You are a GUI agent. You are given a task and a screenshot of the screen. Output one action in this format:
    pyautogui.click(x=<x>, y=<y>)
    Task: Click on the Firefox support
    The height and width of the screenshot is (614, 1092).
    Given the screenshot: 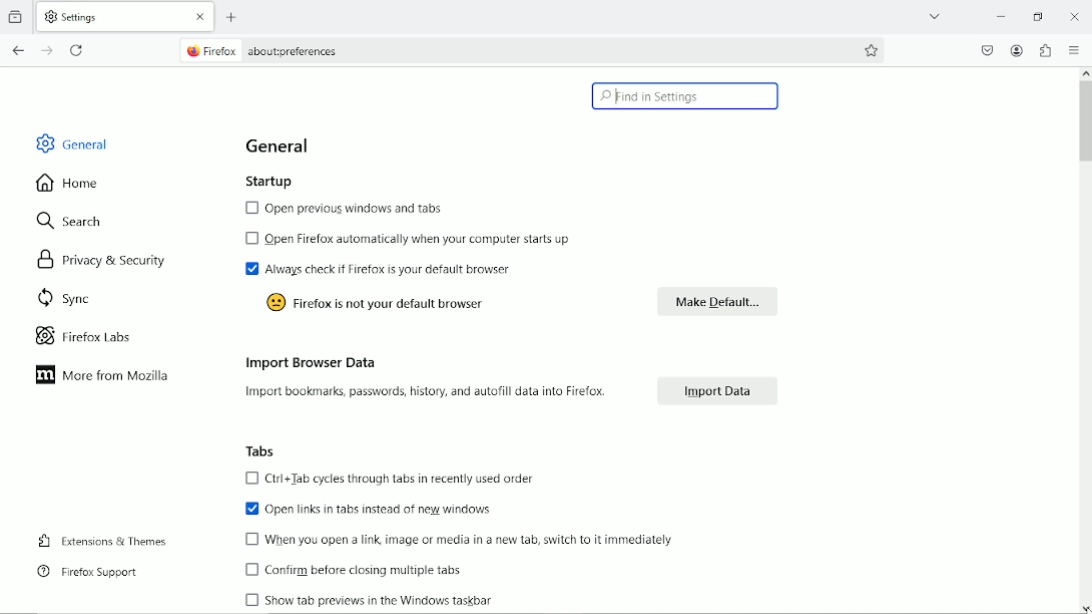 What is the action you would take?
    pyautogui.click(x=87, y=572)
    